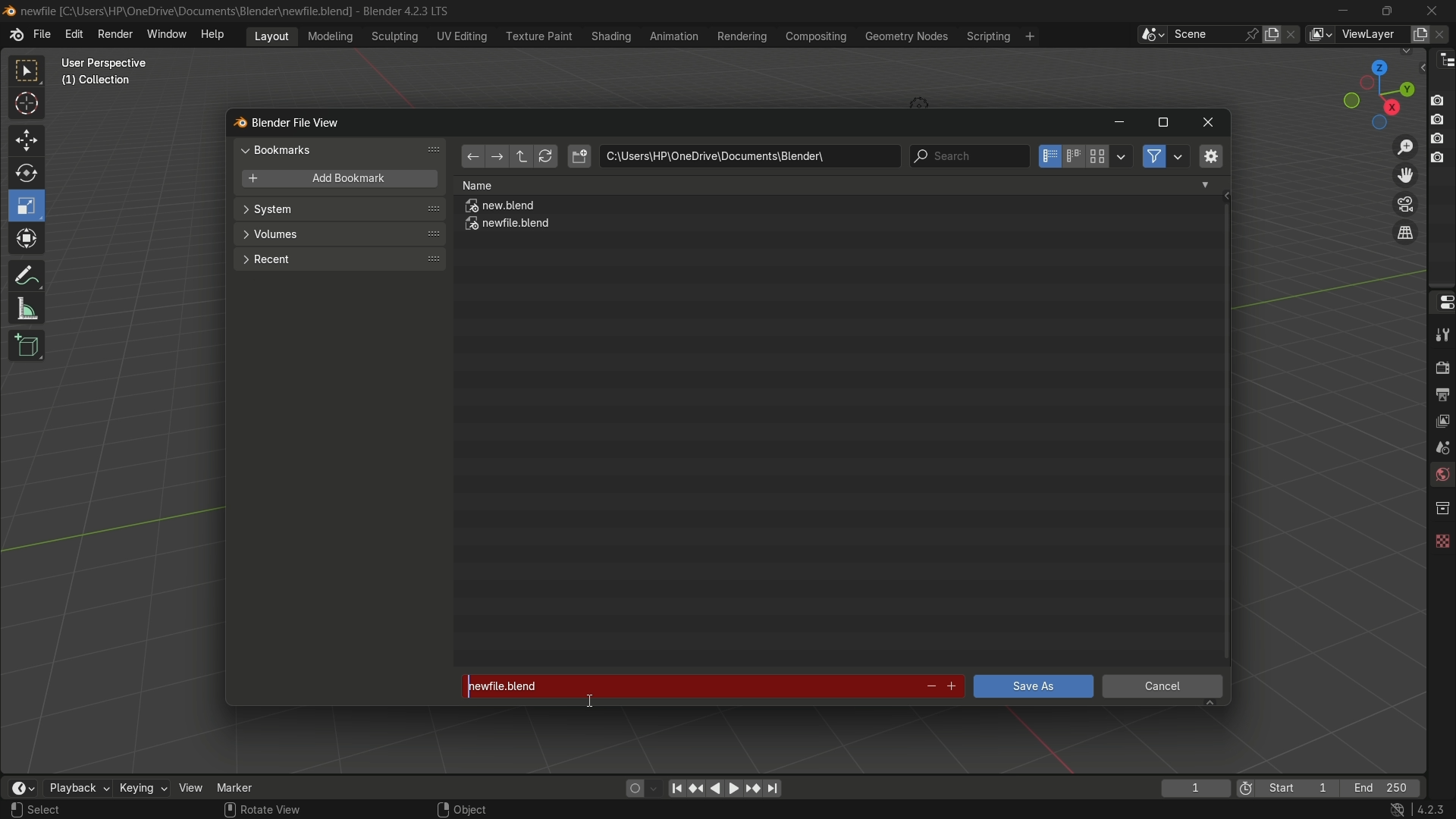 The image size is (1456, 819). What do you see at coordinates (952, 687) in the screenshot?
I see `increment file number` at bounding box center [952, 687].